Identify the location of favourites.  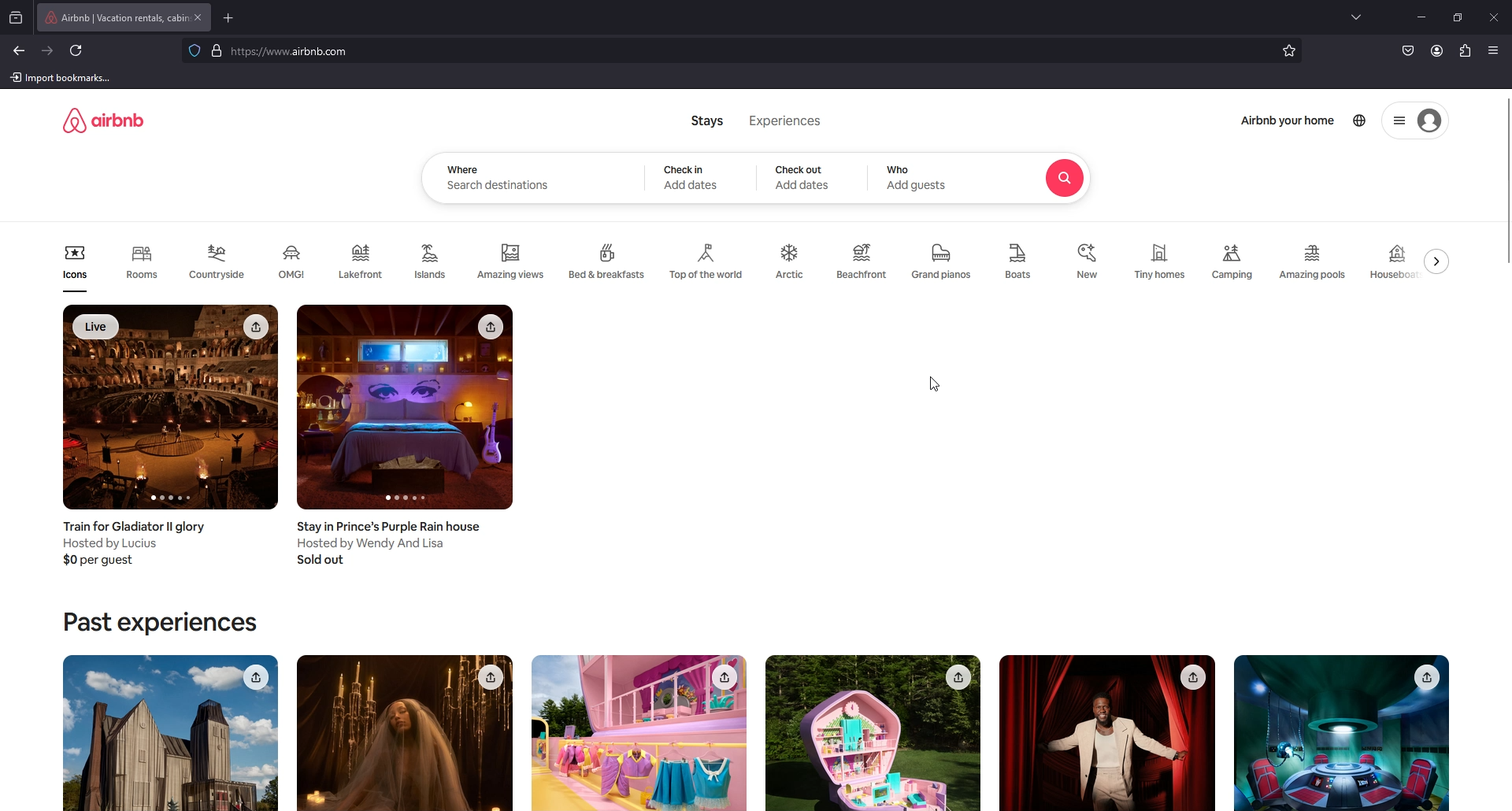
(1290, 52).